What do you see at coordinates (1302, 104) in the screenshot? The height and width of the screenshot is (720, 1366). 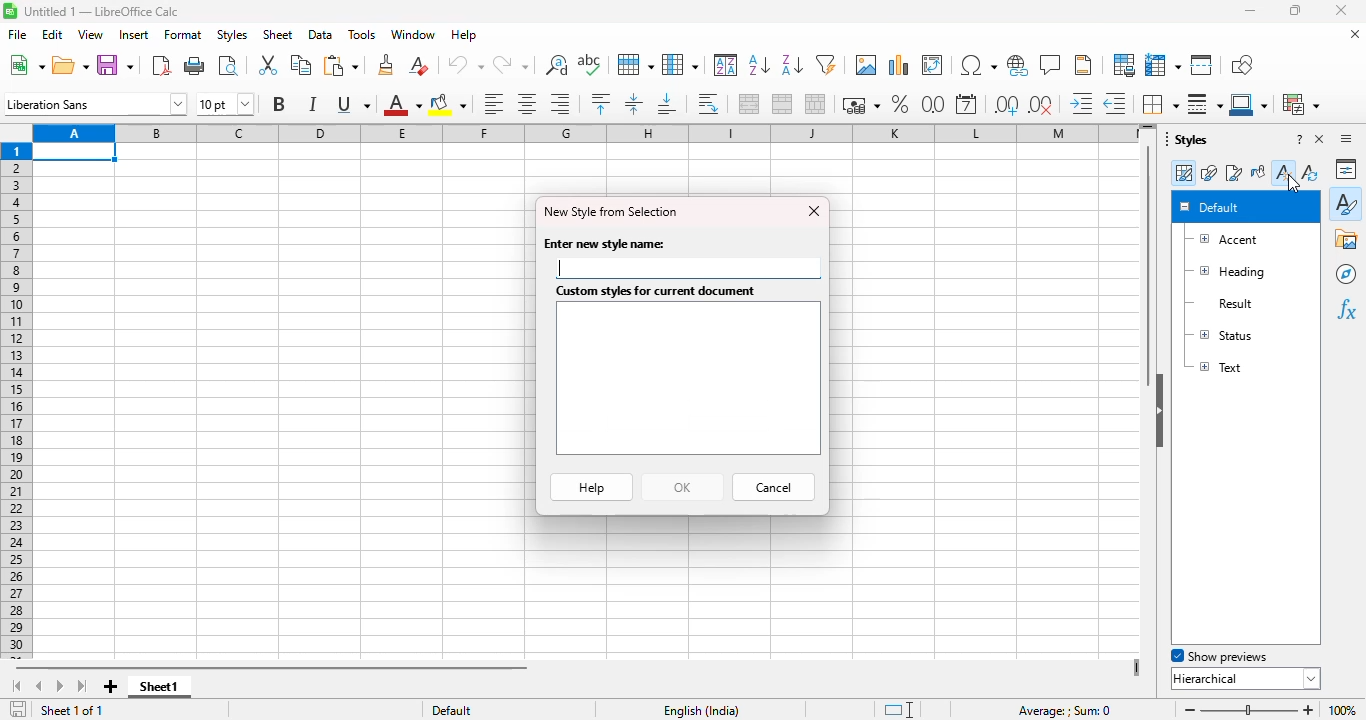 I see `conditional` at bounding box center [1302, 104].